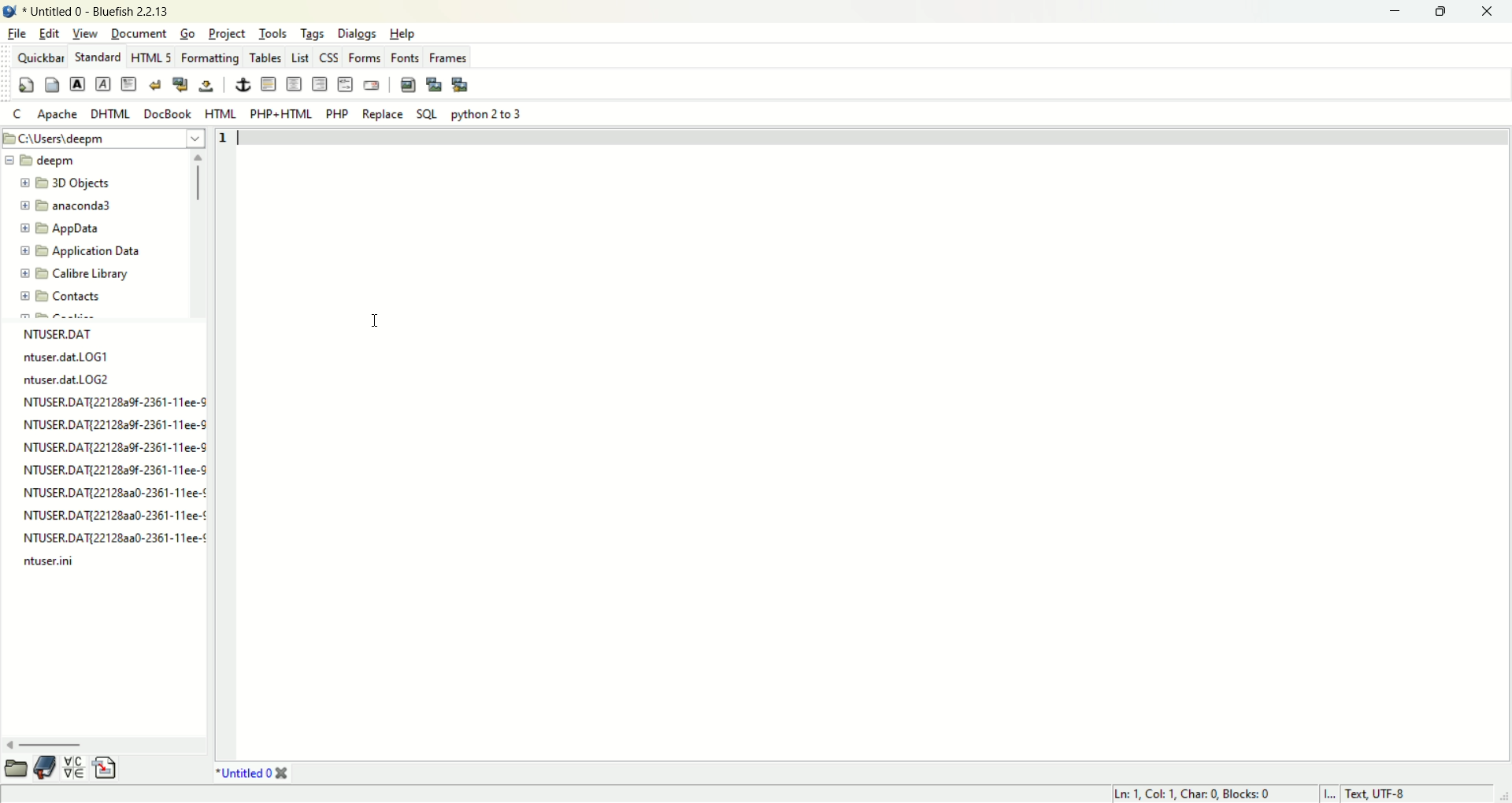 The width and height of the screenshot is (1512, 803). What do you see at coordinates (266, 58) in the screenshot?
I see `tables` at bounding box center [266, 58].